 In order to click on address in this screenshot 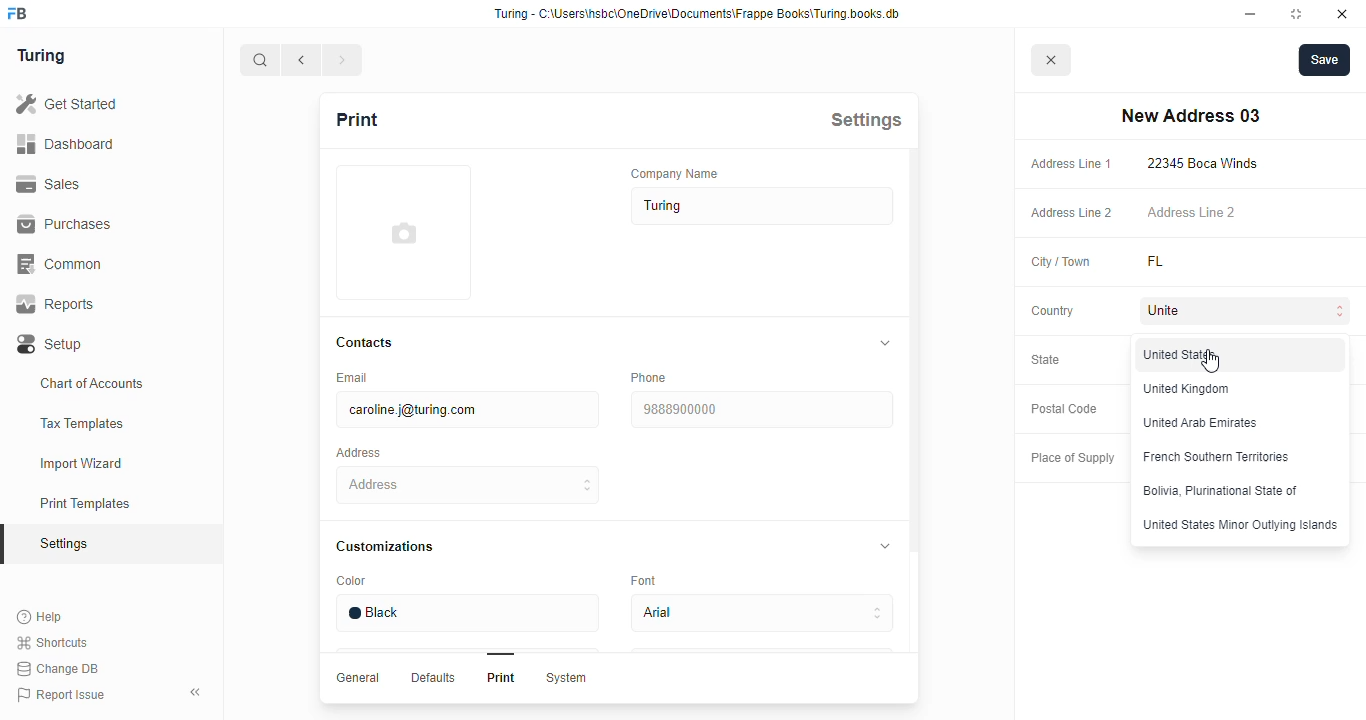, I will do `click(358, 453)`.